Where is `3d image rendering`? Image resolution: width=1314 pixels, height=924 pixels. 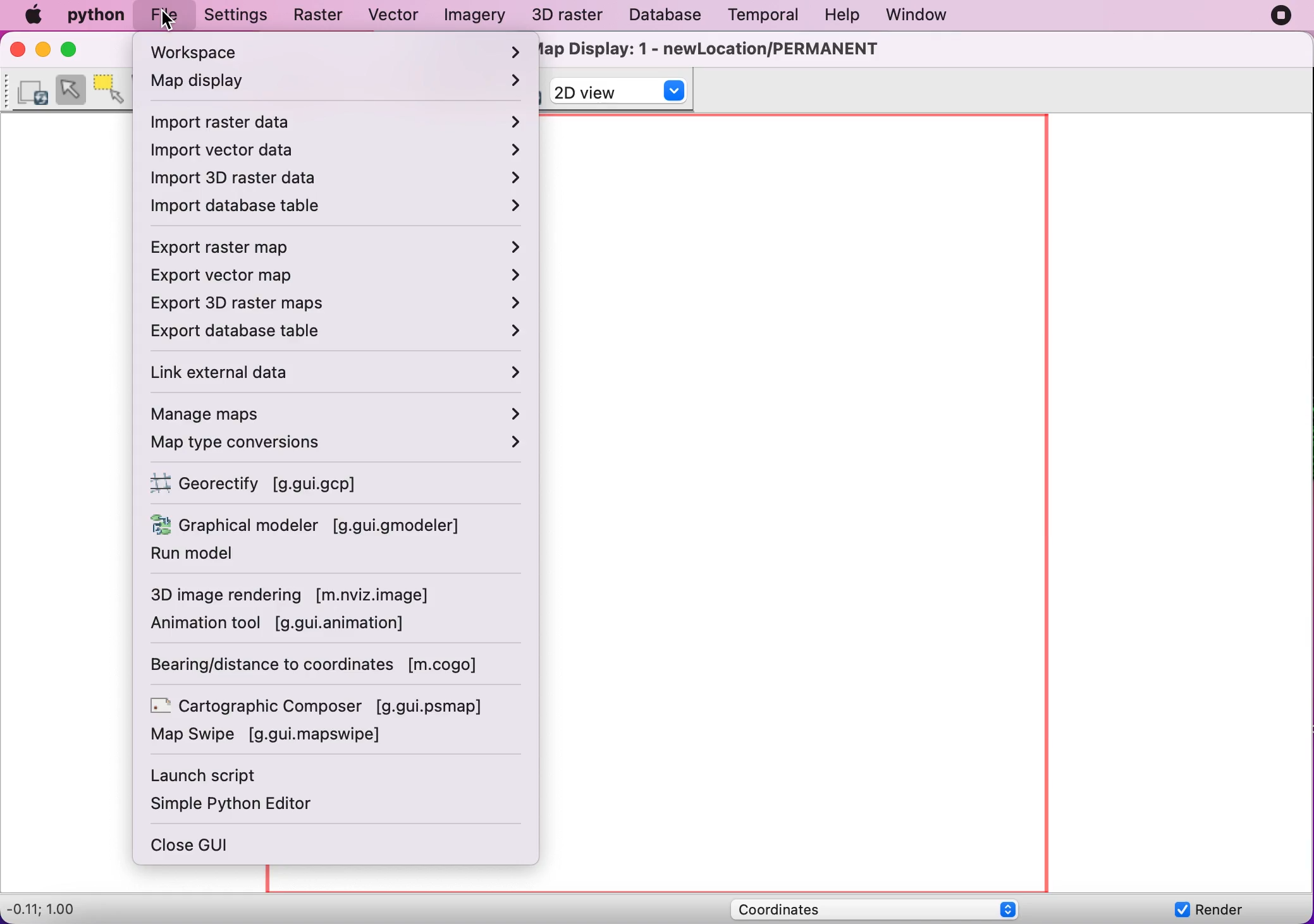
3d image rendering is located at coordinates (300, 596).